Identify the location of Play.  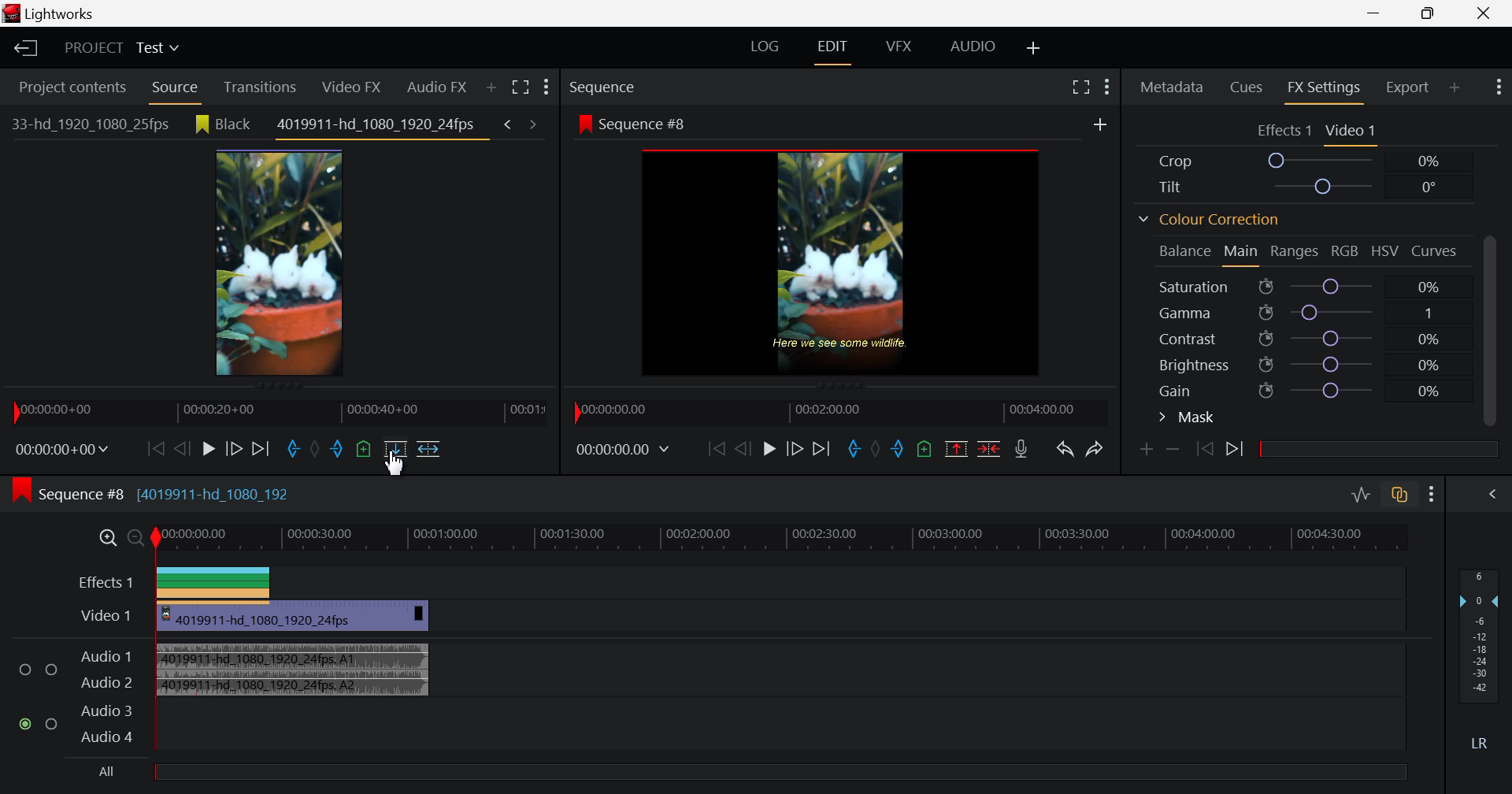
(769, 451).